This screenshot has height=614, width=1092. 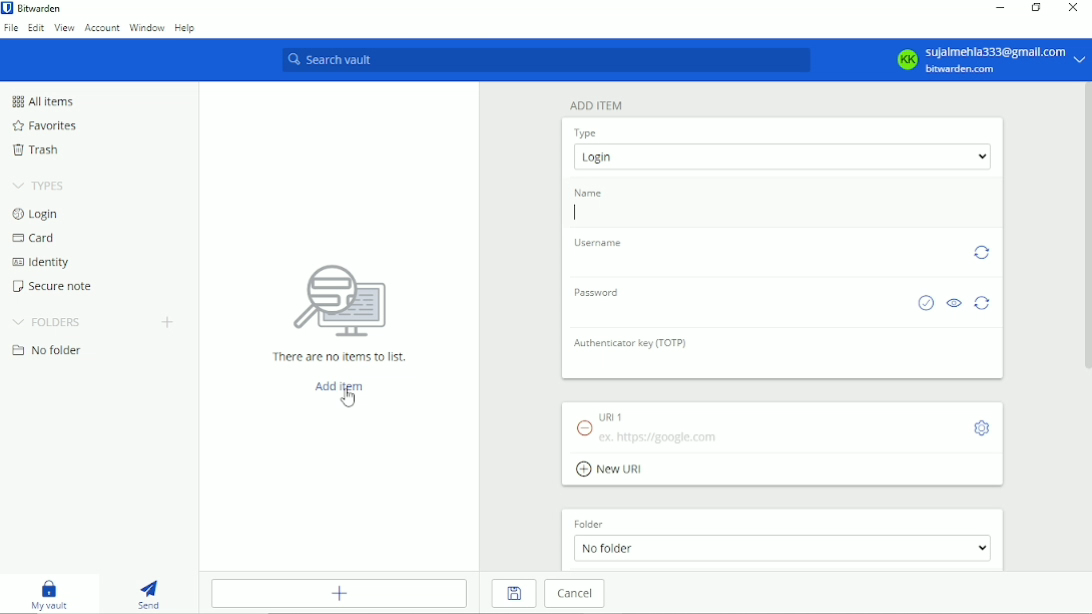 What do you see at coordinates (50, 286) in the screenshot?
I see `Secure note` at bounding box center [50, 286].